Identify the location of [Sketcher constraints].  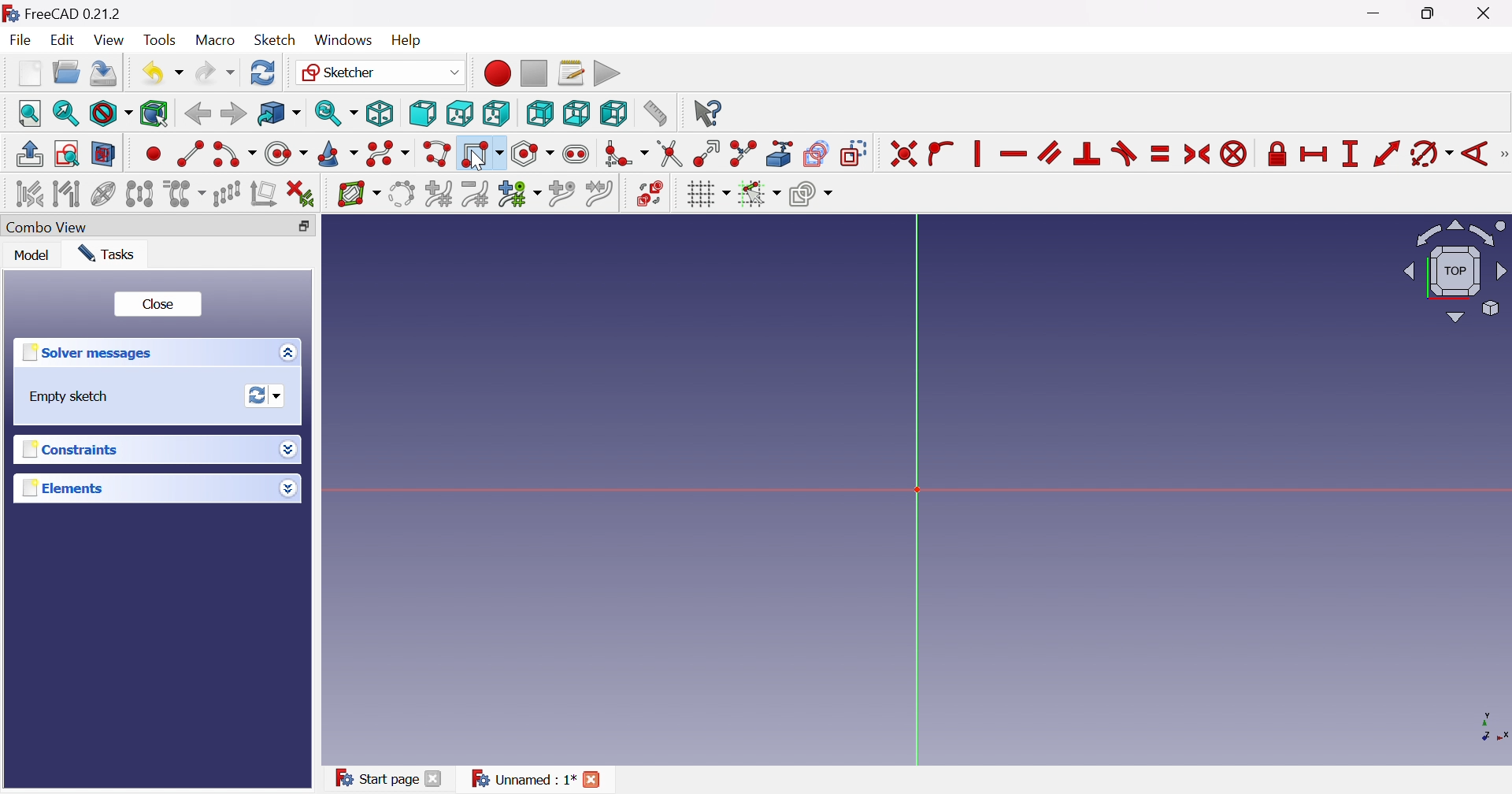
(1503, 154).